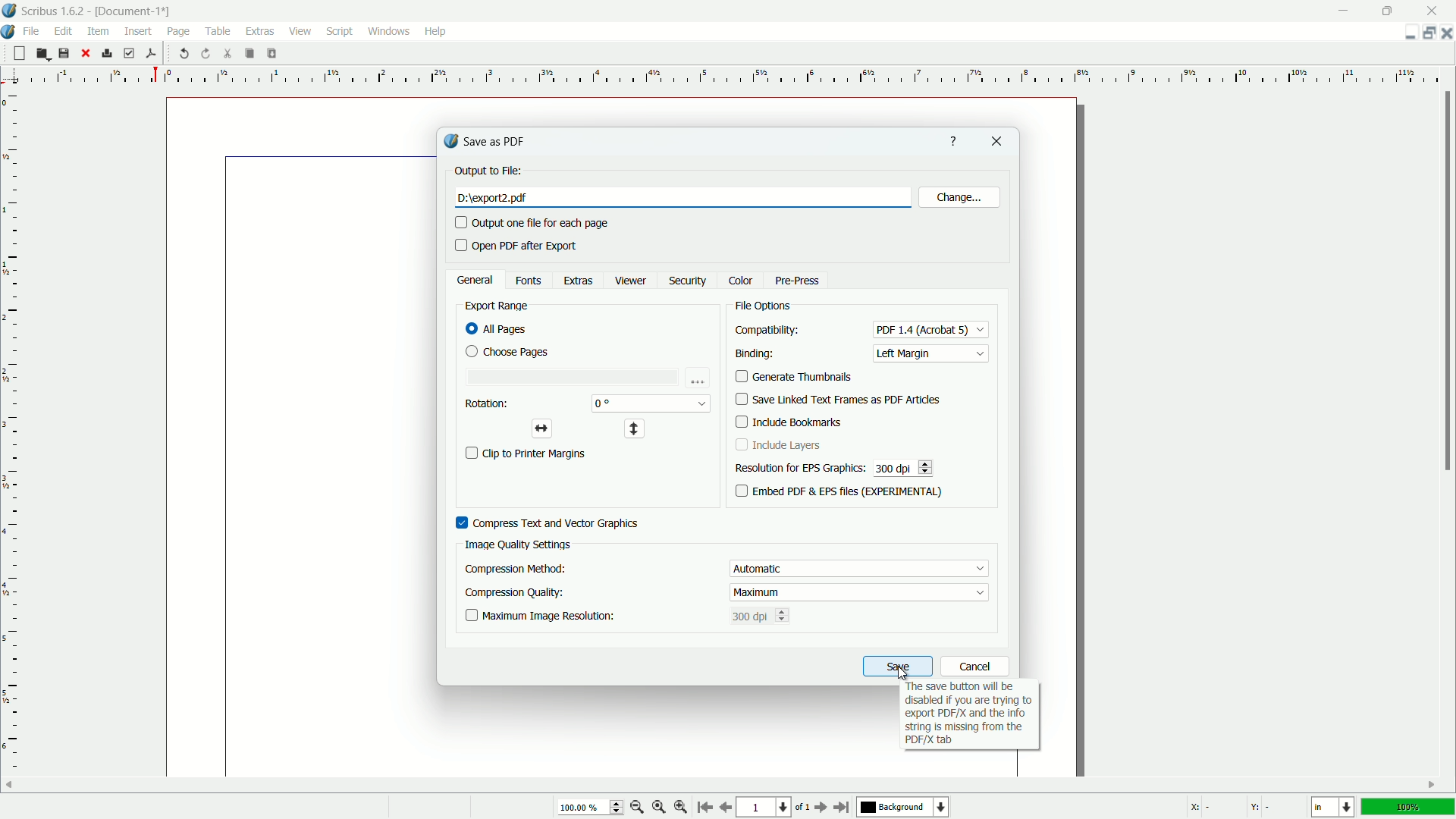  What do you see at coordinates (795, 281) in the screenshot?
I see `pre press` at bounding box center [795, 281].